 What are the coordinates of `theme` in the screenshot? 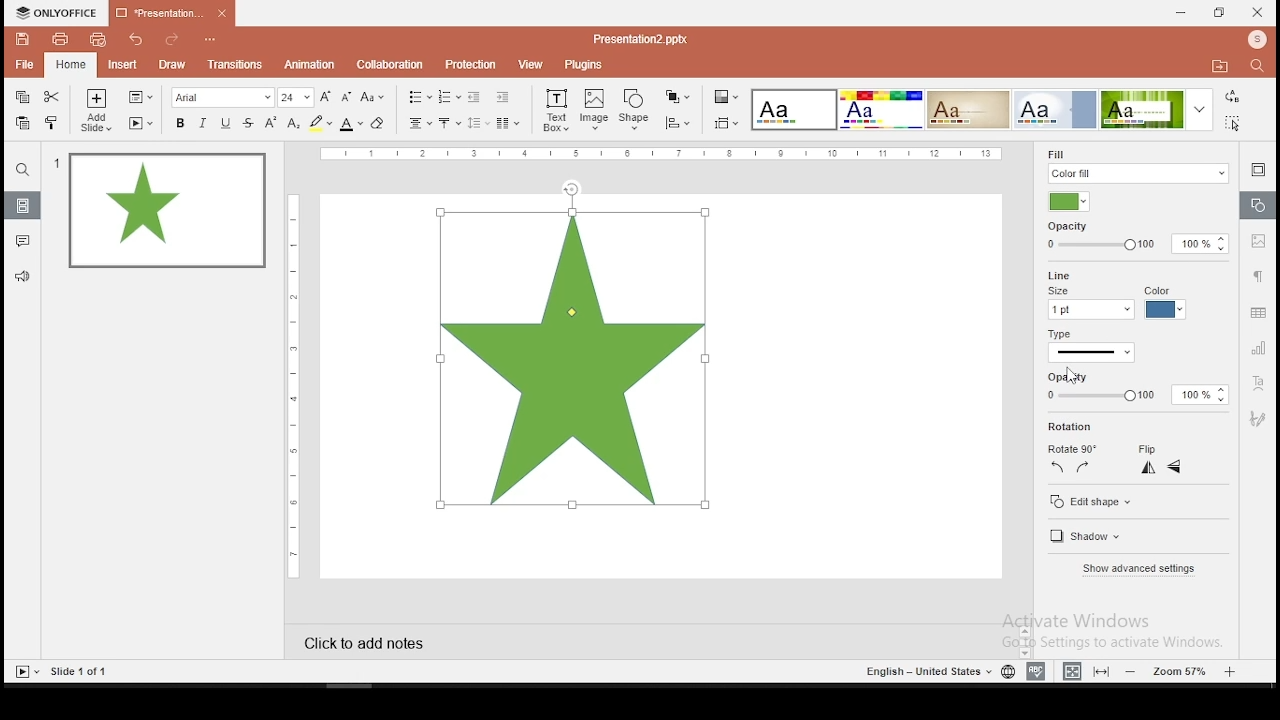 It's located at (1055, 109).